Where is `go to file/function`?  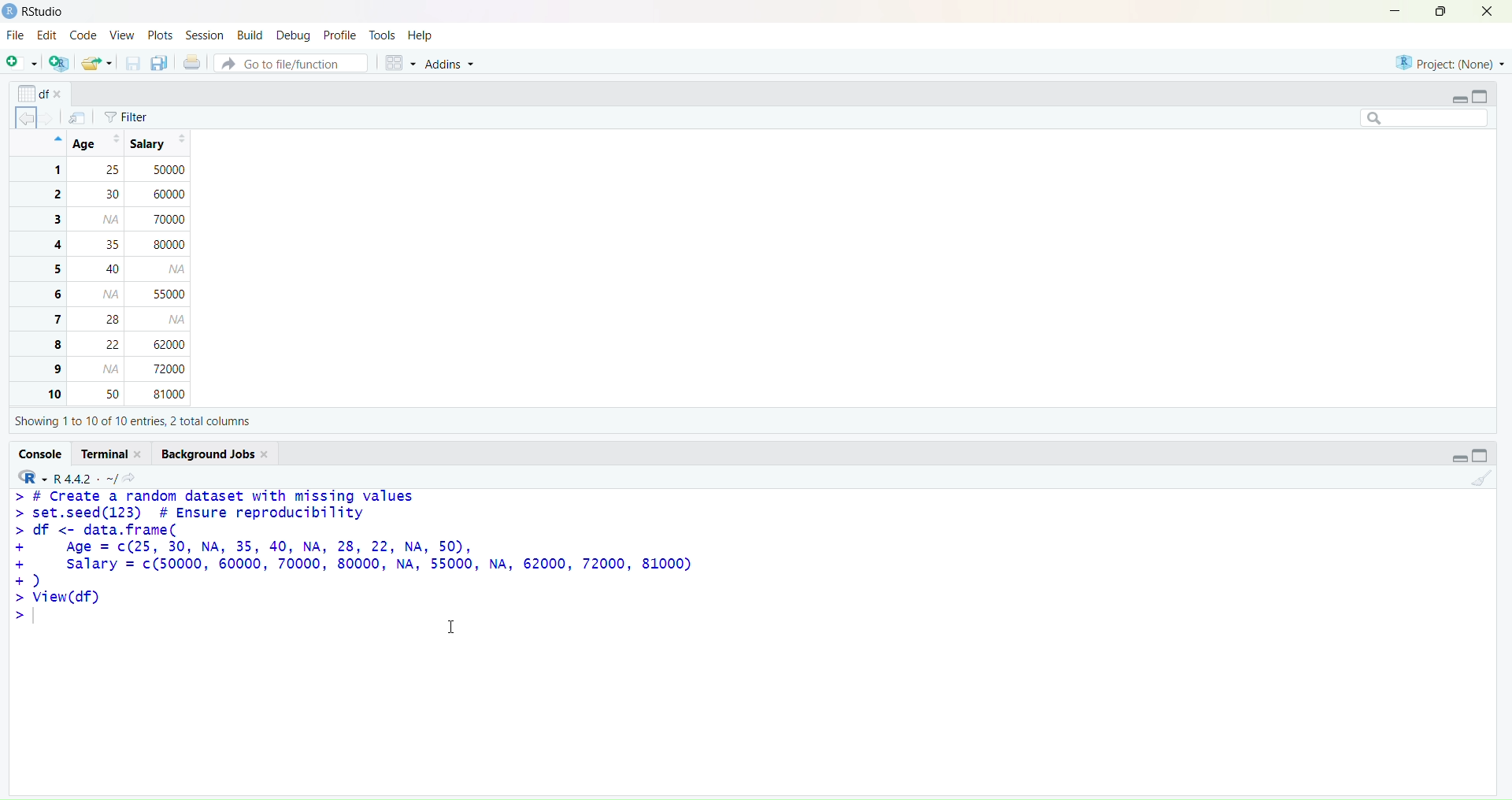
go to file/function is located at coordinates (290, 64).